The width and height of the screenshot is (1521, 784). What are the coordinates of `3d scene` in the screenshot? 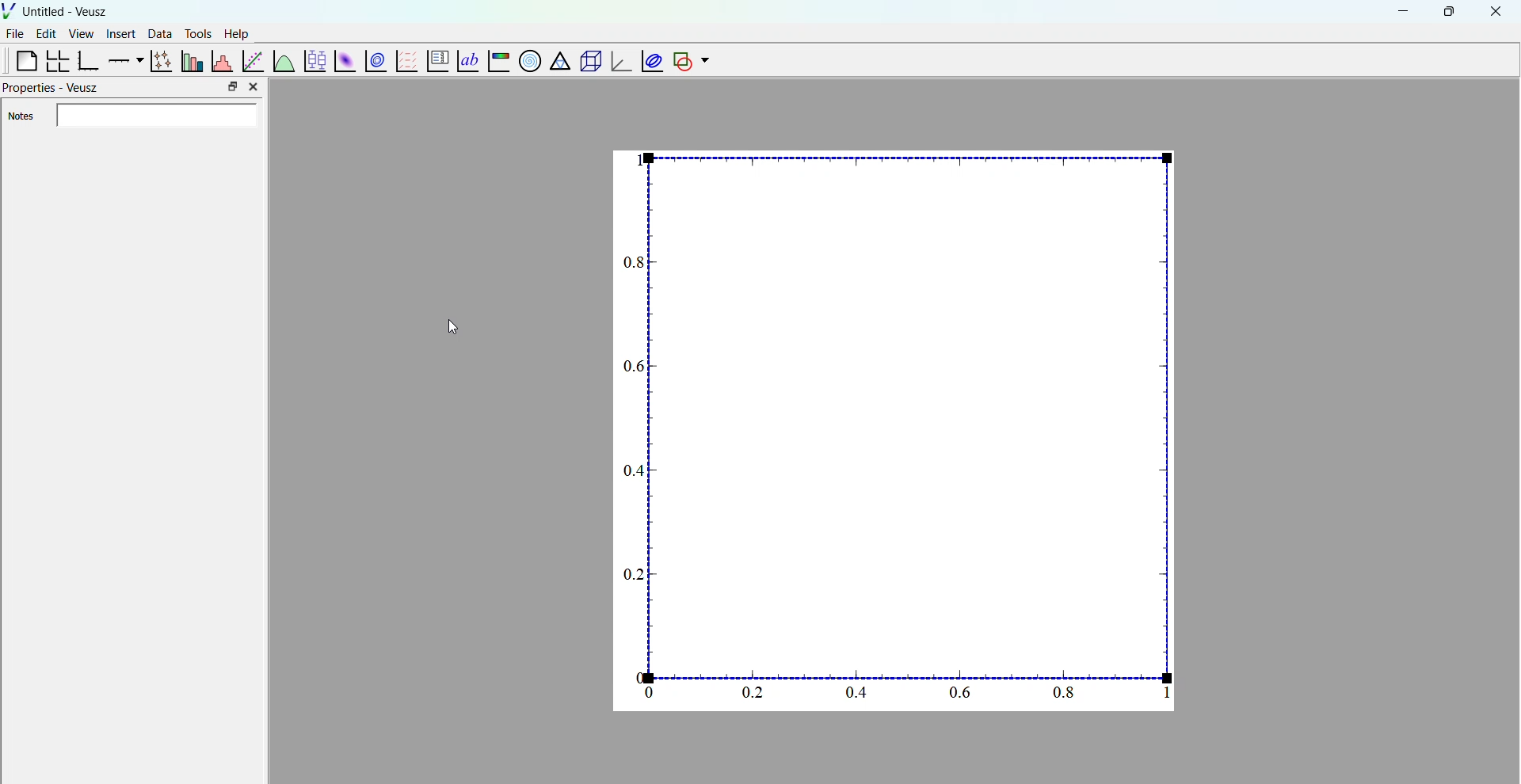 It's located at (588, 62).